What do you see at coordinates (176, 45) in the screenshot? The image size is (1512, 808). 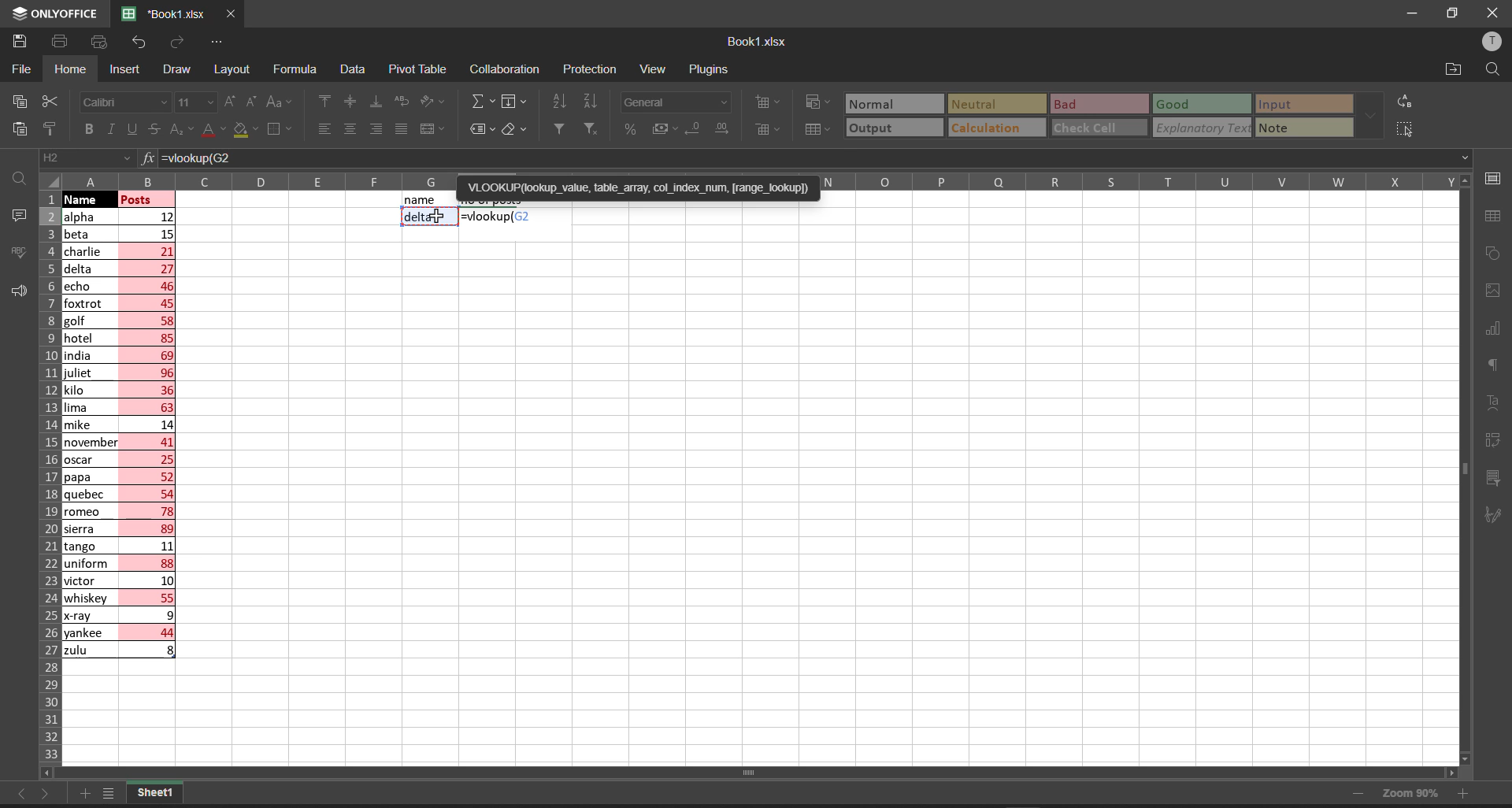 I see `redo` at bounding box center [176, 45].